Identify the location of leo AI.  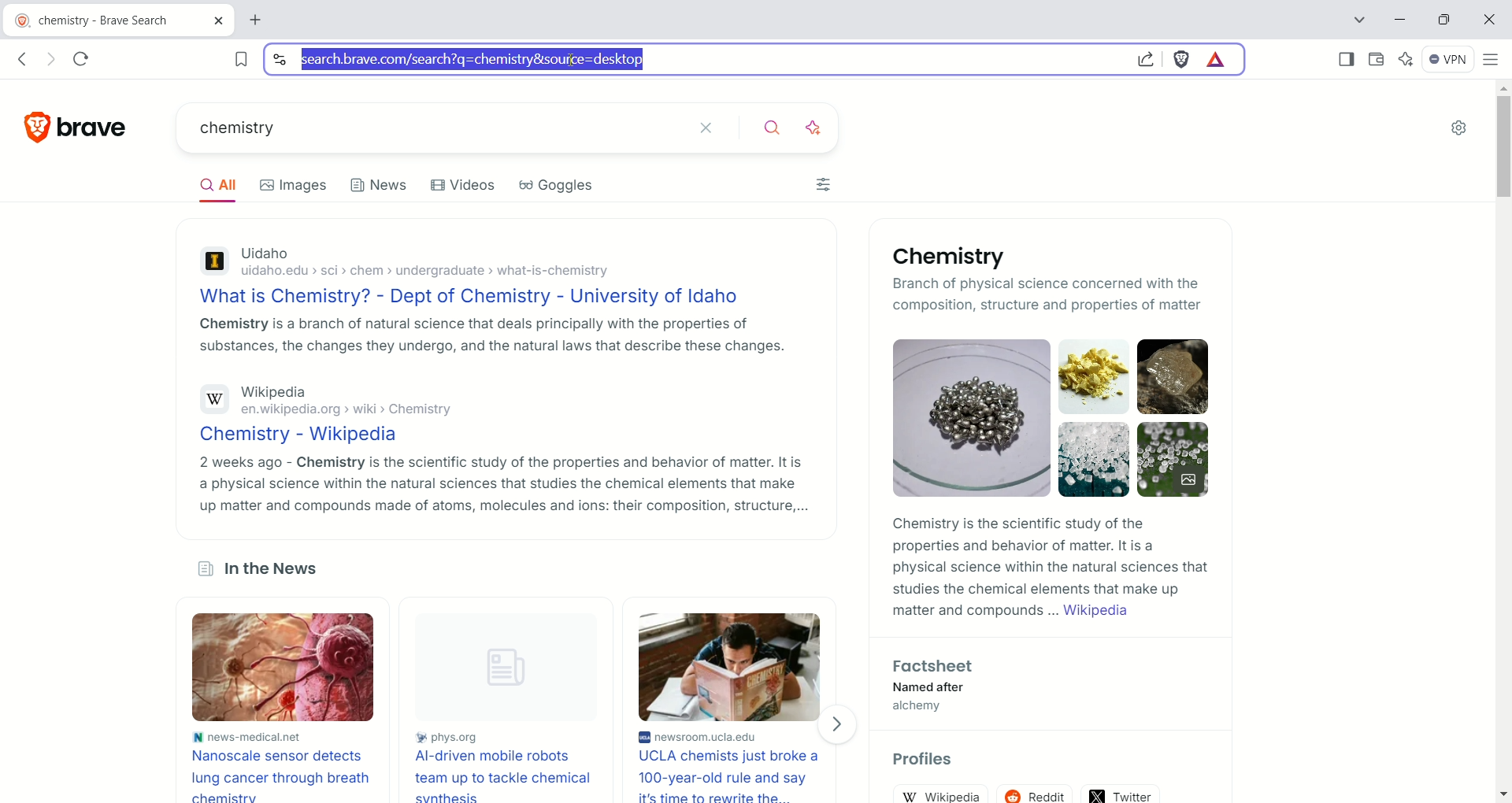
(1406, 60).